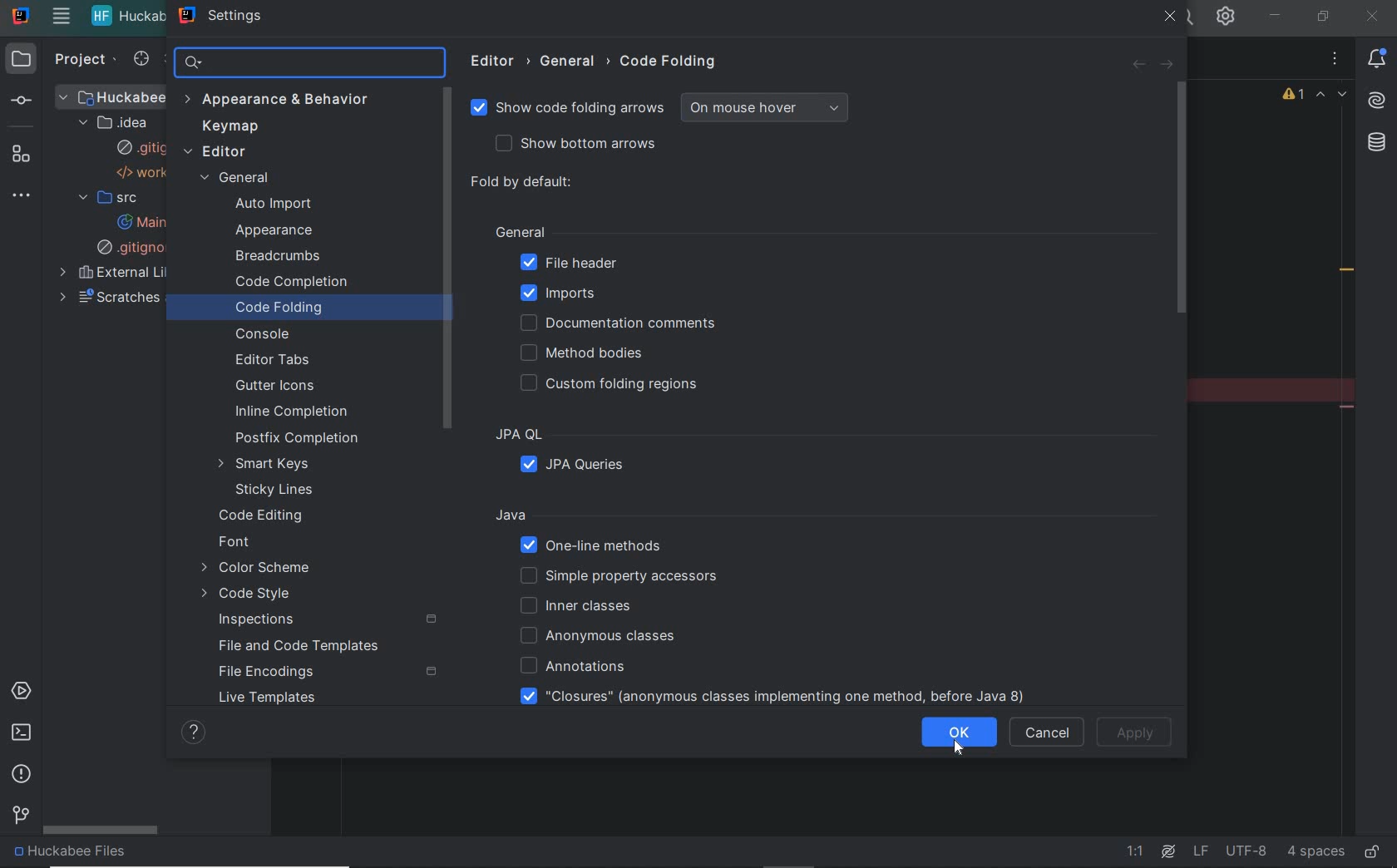 This screenshot has width=1397, height=868. What do you see at coordinates (566, 665) in the screenshot?
I see `annotations` at bounding box center [566, 665].